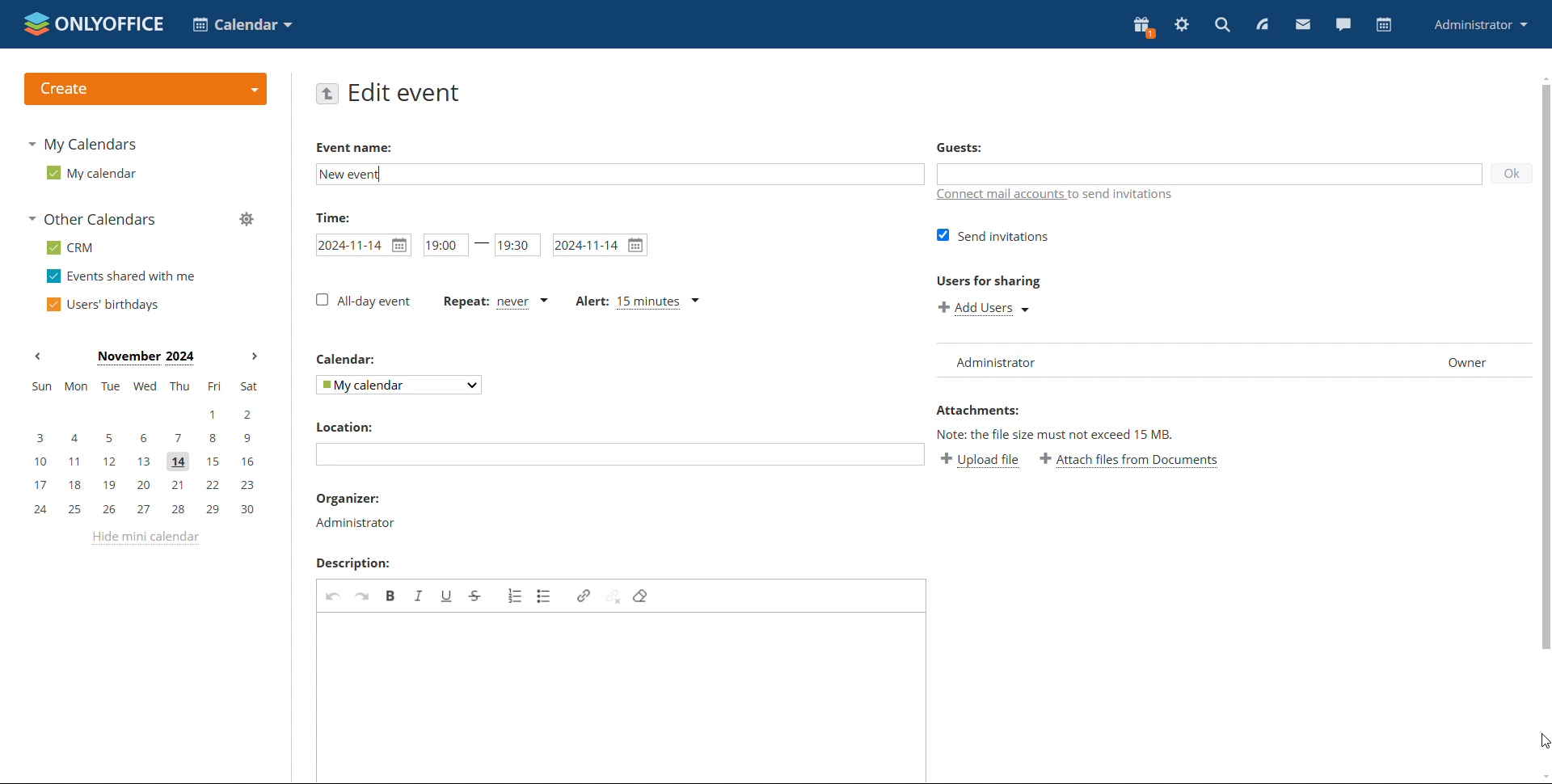 The image size is (1552, 784). Describe the element at coordinates (1183, 24) in the screenshot. I see `settings` at that location.